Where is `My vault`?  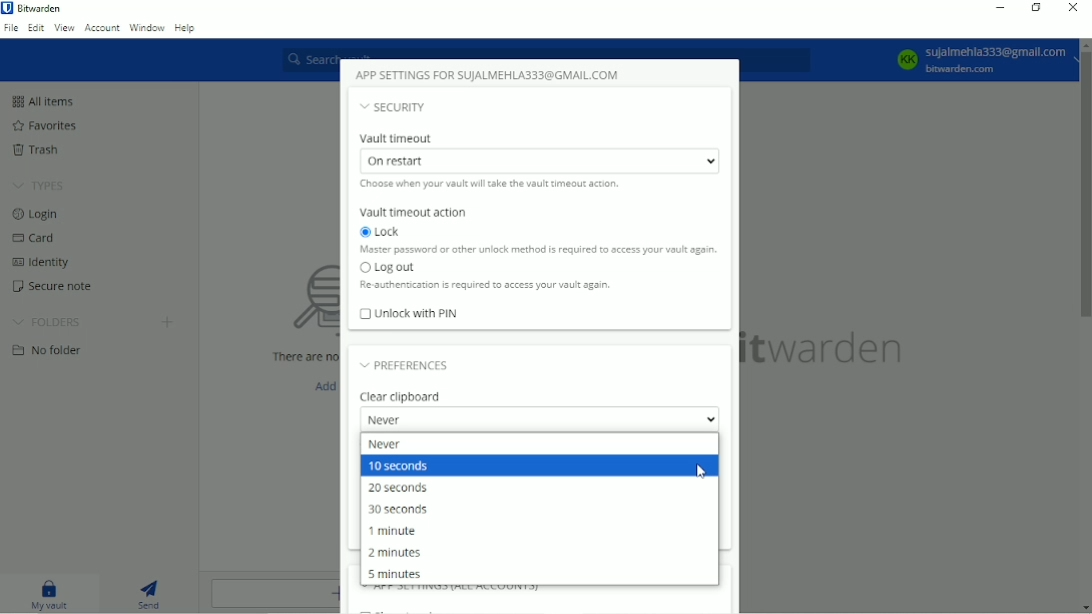 My vault is located at coordinates (50, 594).